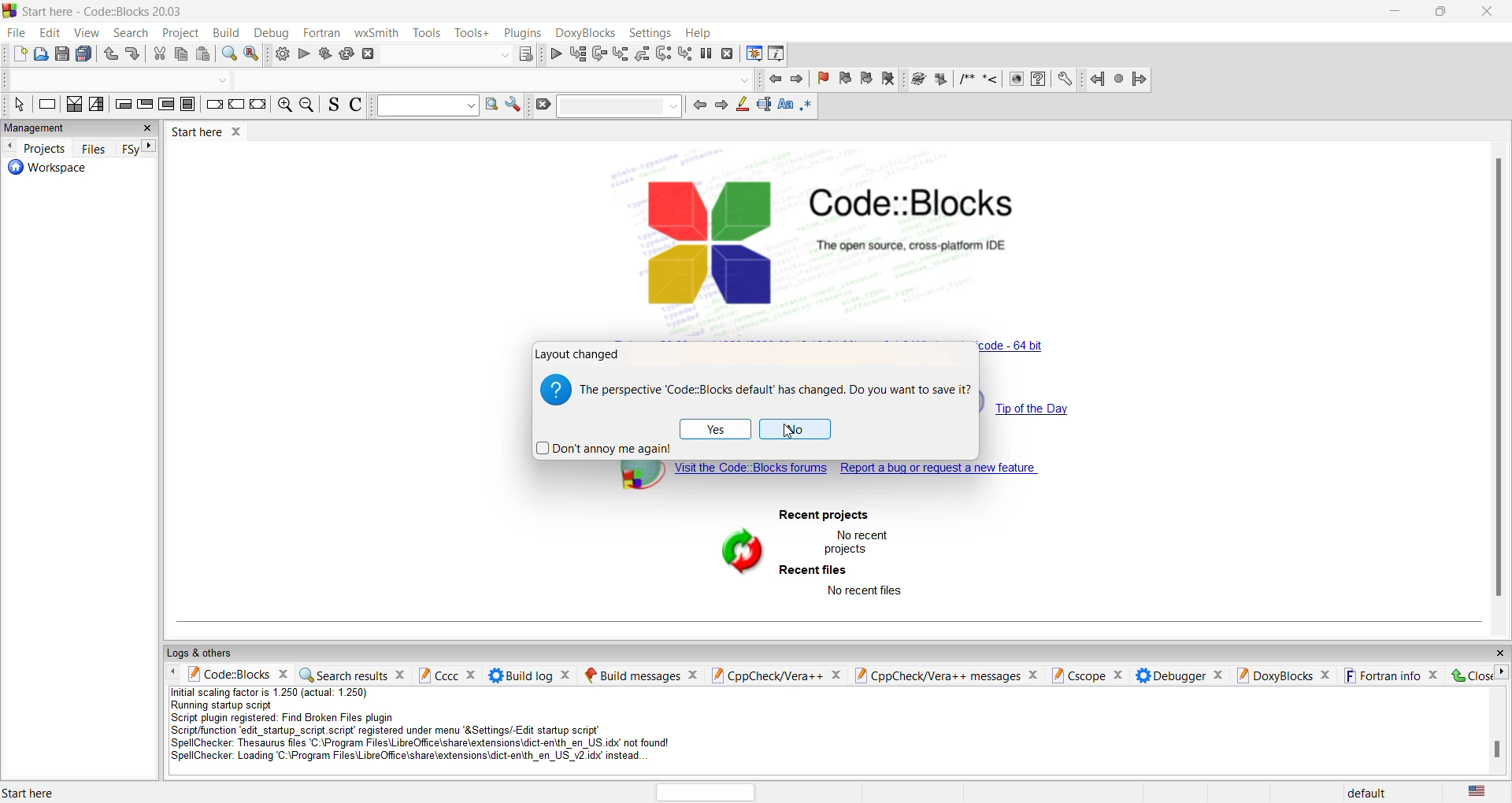 Image resolution: width=1512 pixels, height=803 pixels. Describe the element at coordinates (684, 54) in the screenshot. I see `step into instruction` at that location.